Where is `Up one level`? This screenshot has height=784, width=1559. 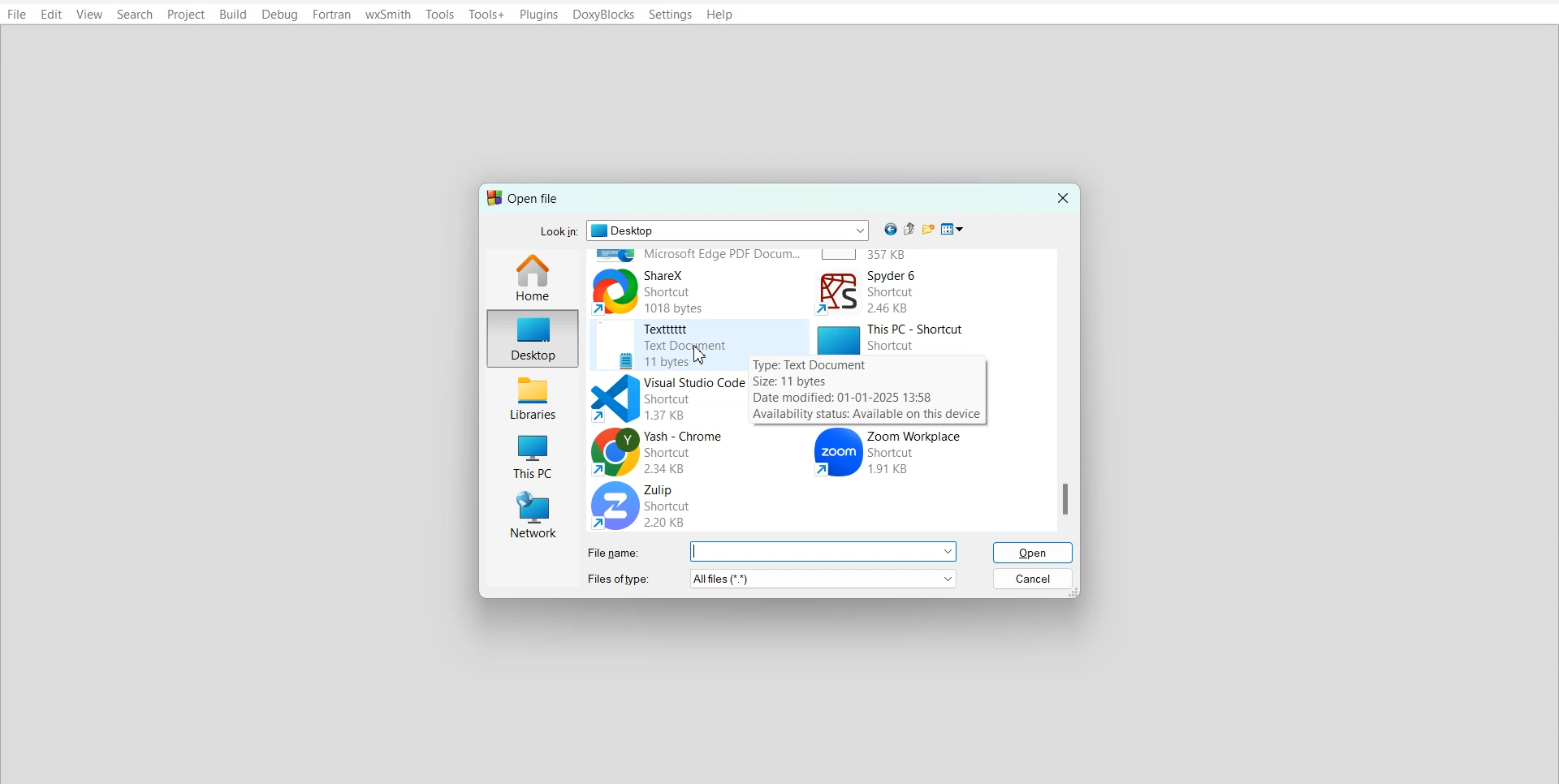 Up one level is located at coordinates (909, 230).